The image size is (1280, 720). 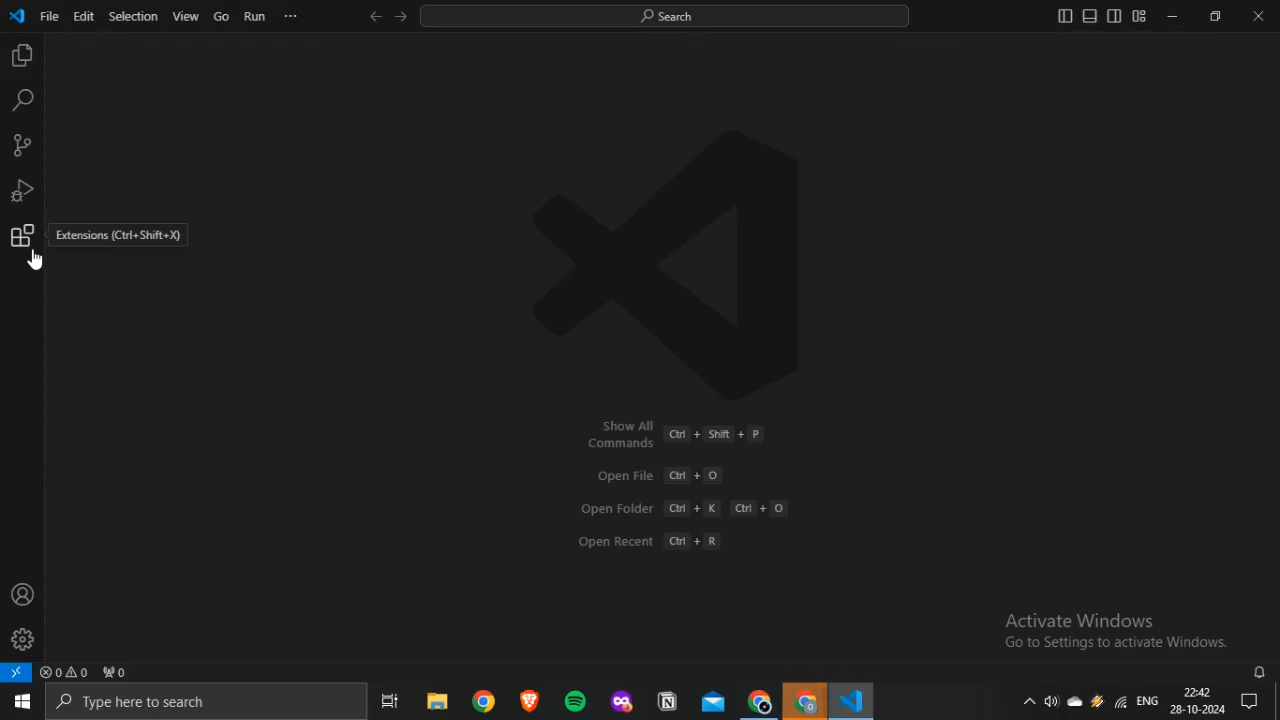 I want to click on open a remote window, so click(x=17, y=672).